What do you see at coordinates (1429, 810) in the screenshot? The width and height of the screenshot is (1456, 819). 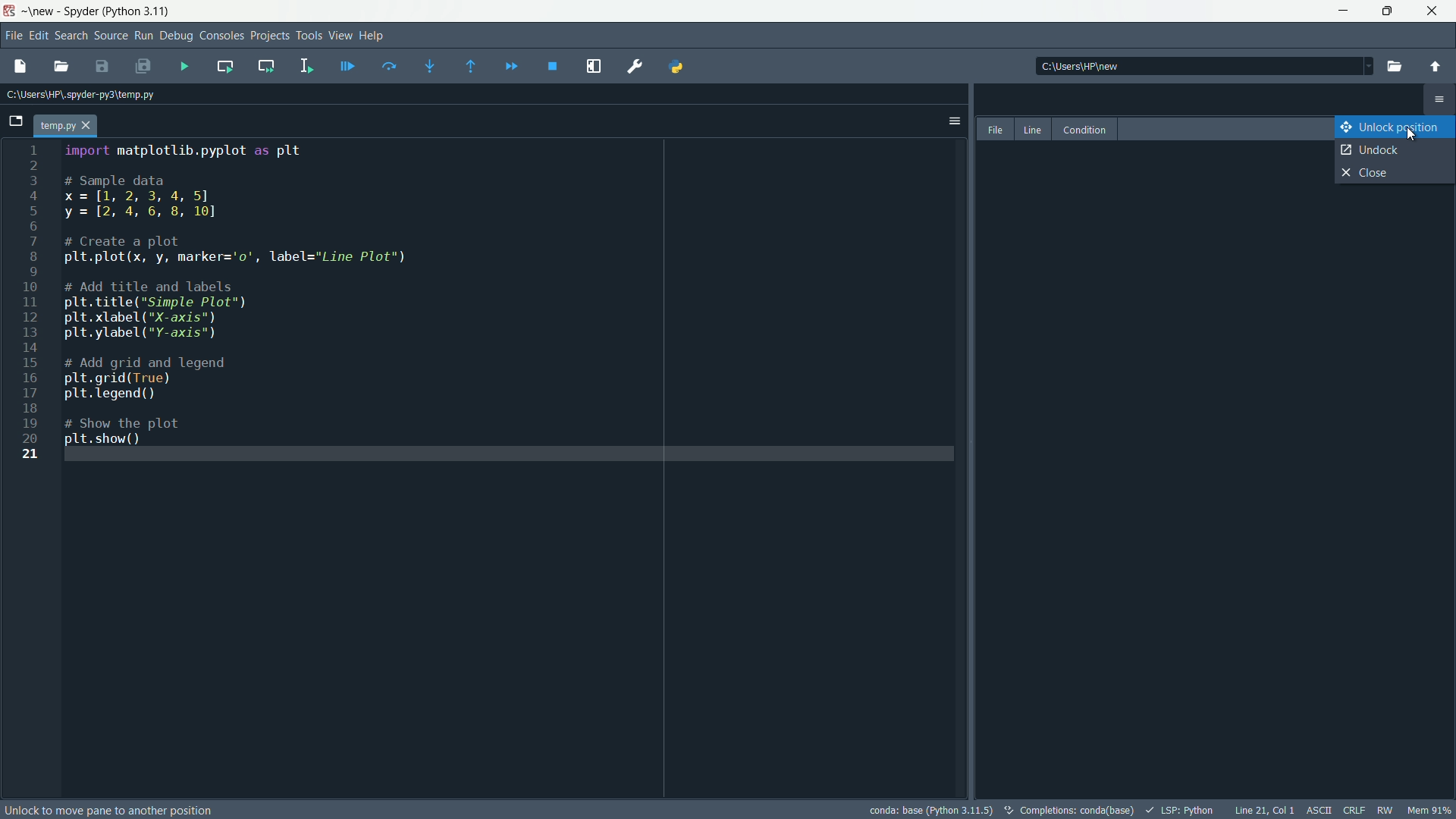 I see `mem 91%` at bounding box center [1429, 810].